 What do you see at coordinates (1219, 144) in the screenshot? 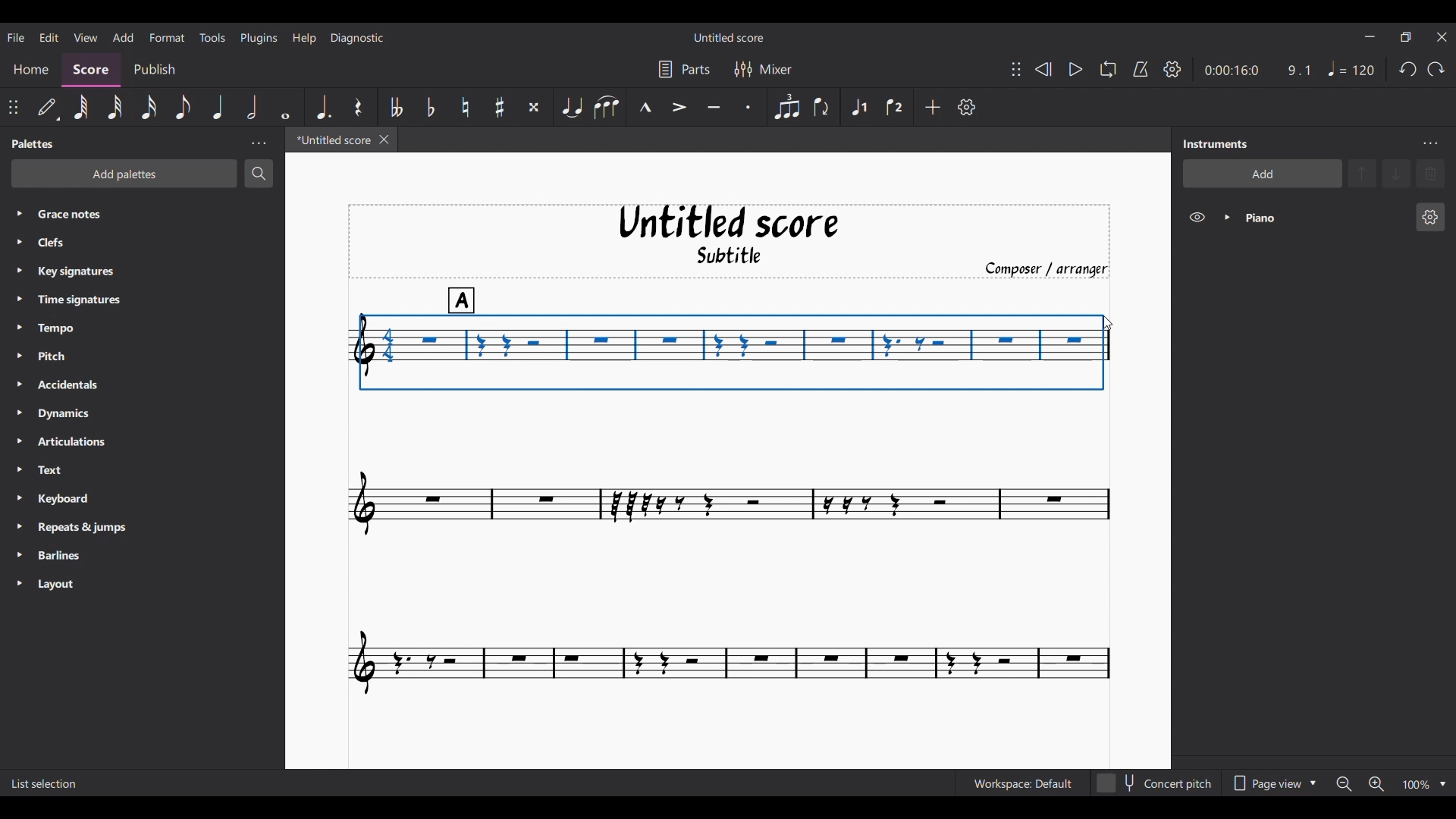
I see `Panel title` at bounding box center [1219, 144].